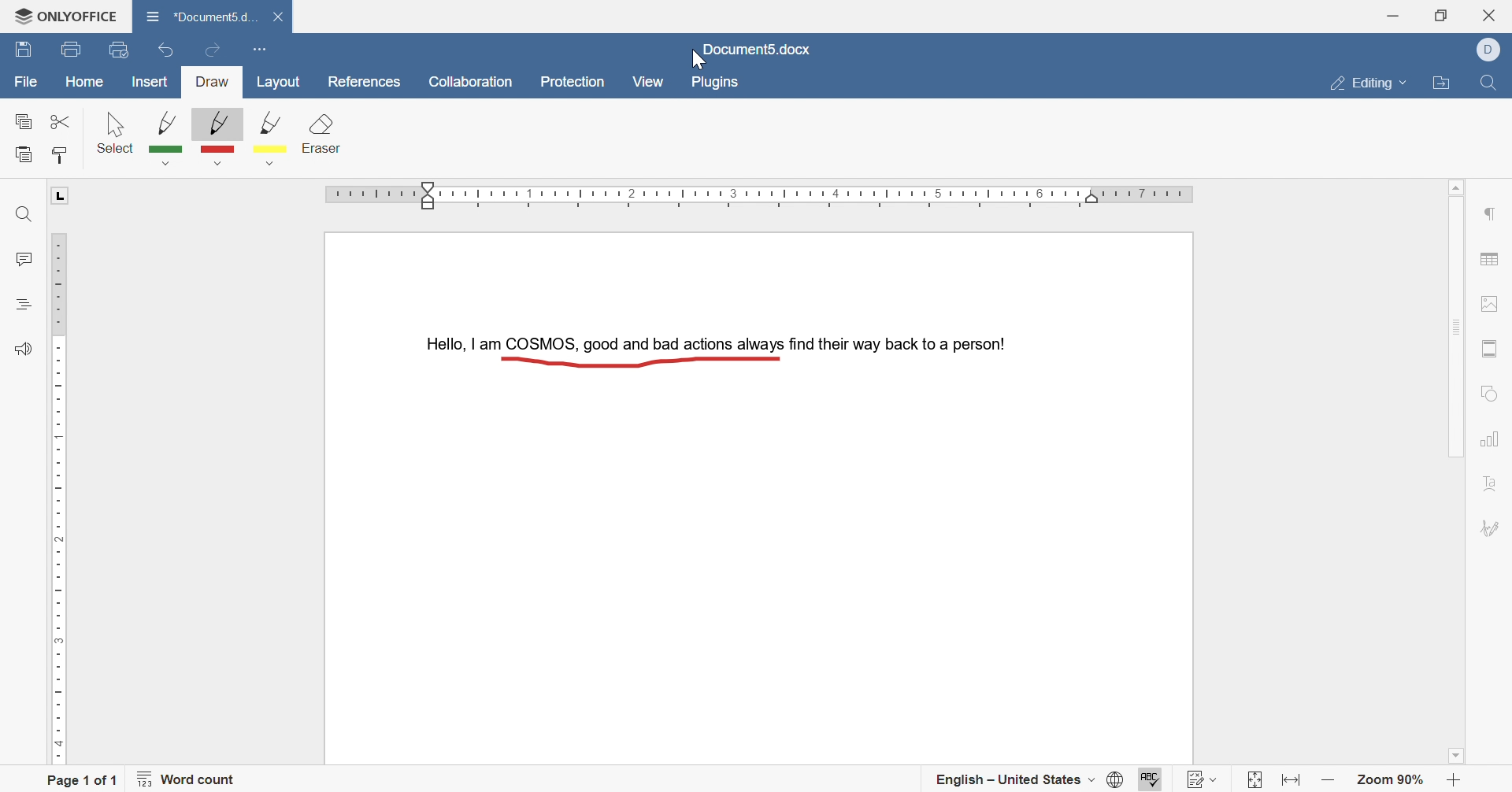  Describe the element at coordinates (213, 46) in the screenshot. I see `redo` at that location.